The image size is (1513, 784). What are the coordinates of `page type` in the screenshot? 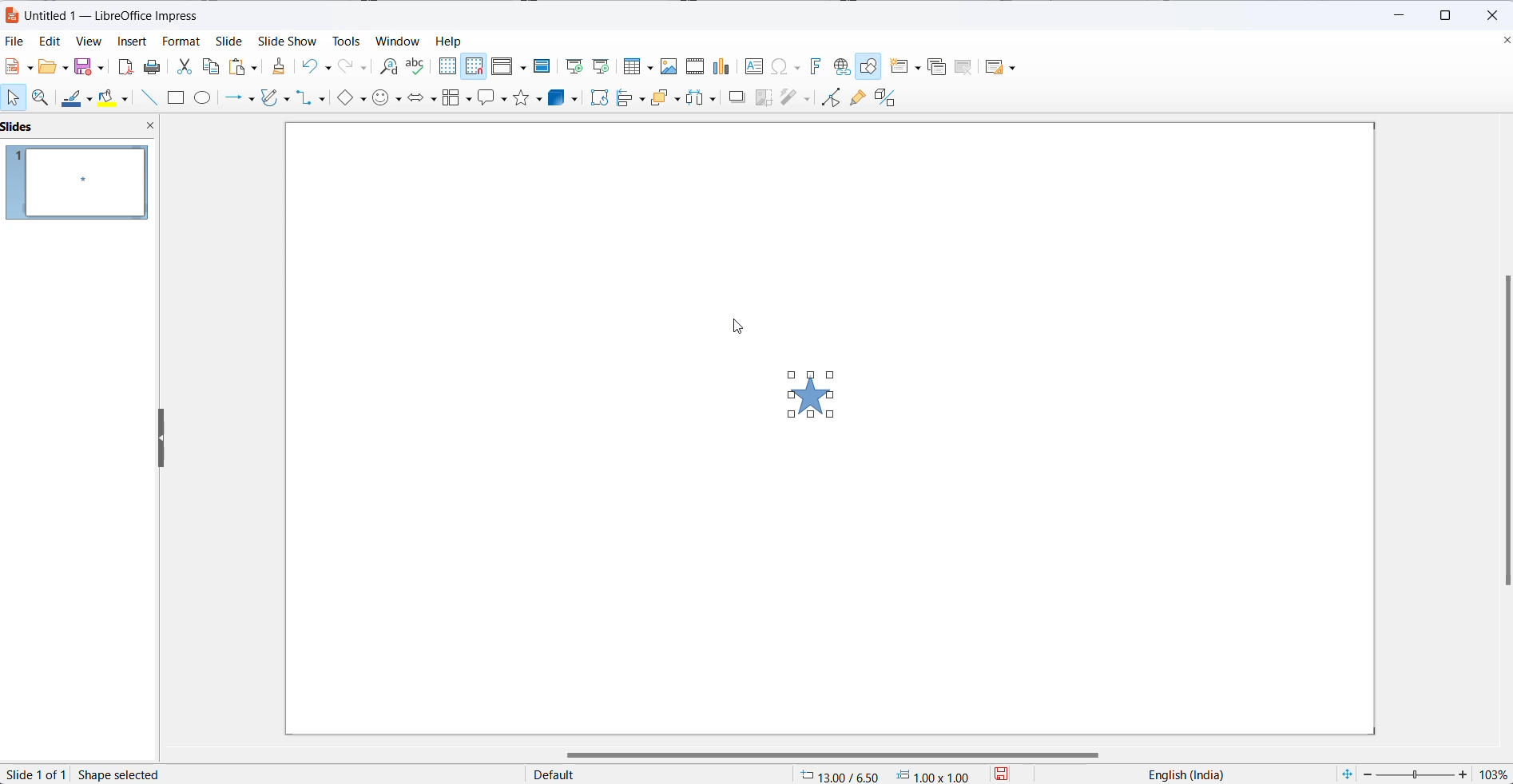 It's located at (657, 775).